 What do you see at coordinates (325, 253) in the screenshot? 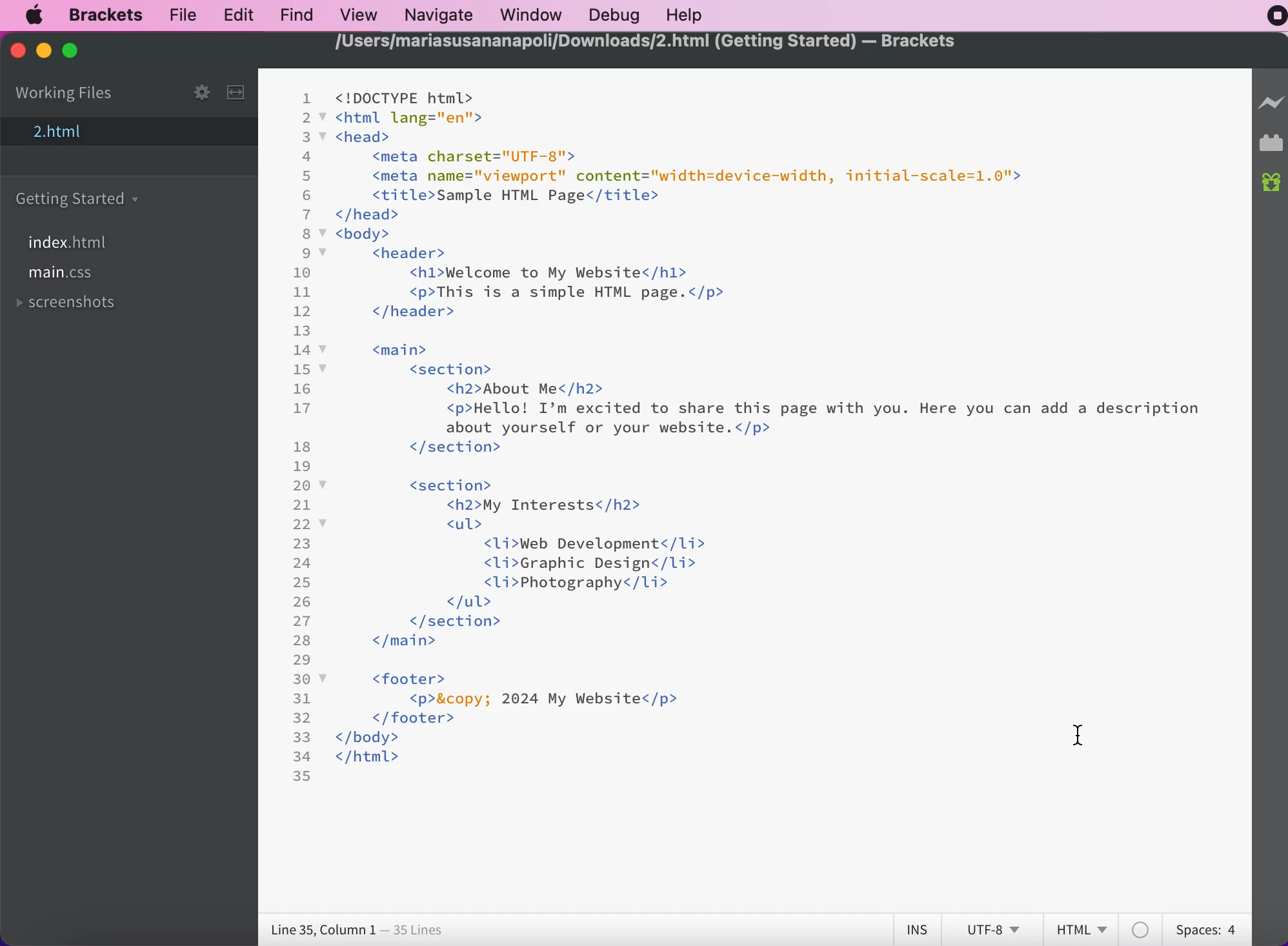
I see `code fold` at bounding box center [325, 253].